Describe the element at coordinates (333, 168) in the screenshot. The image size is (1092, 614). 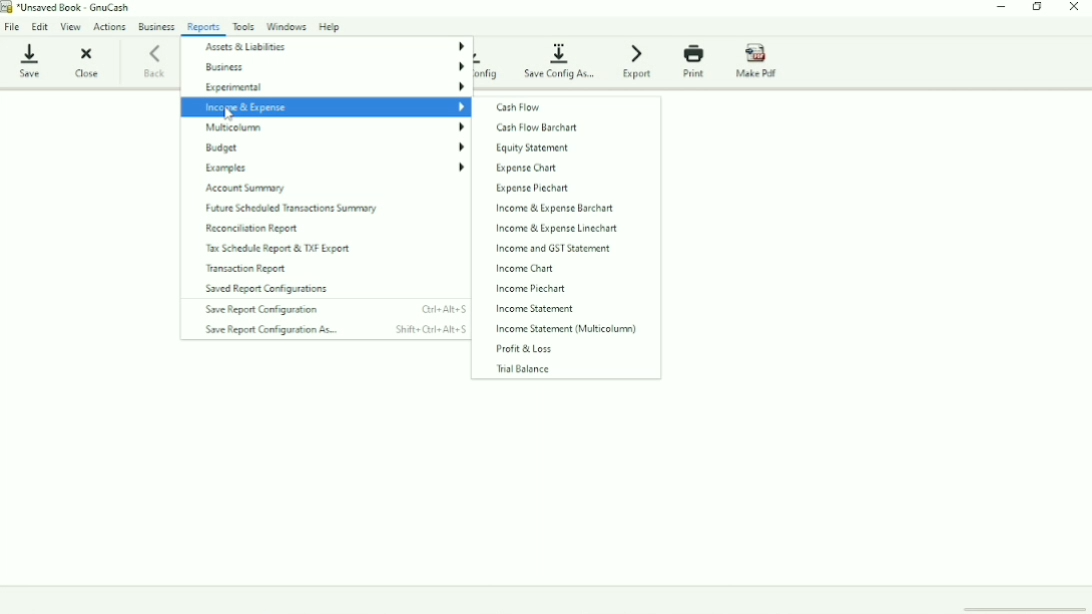
I see `Examples` at that location.